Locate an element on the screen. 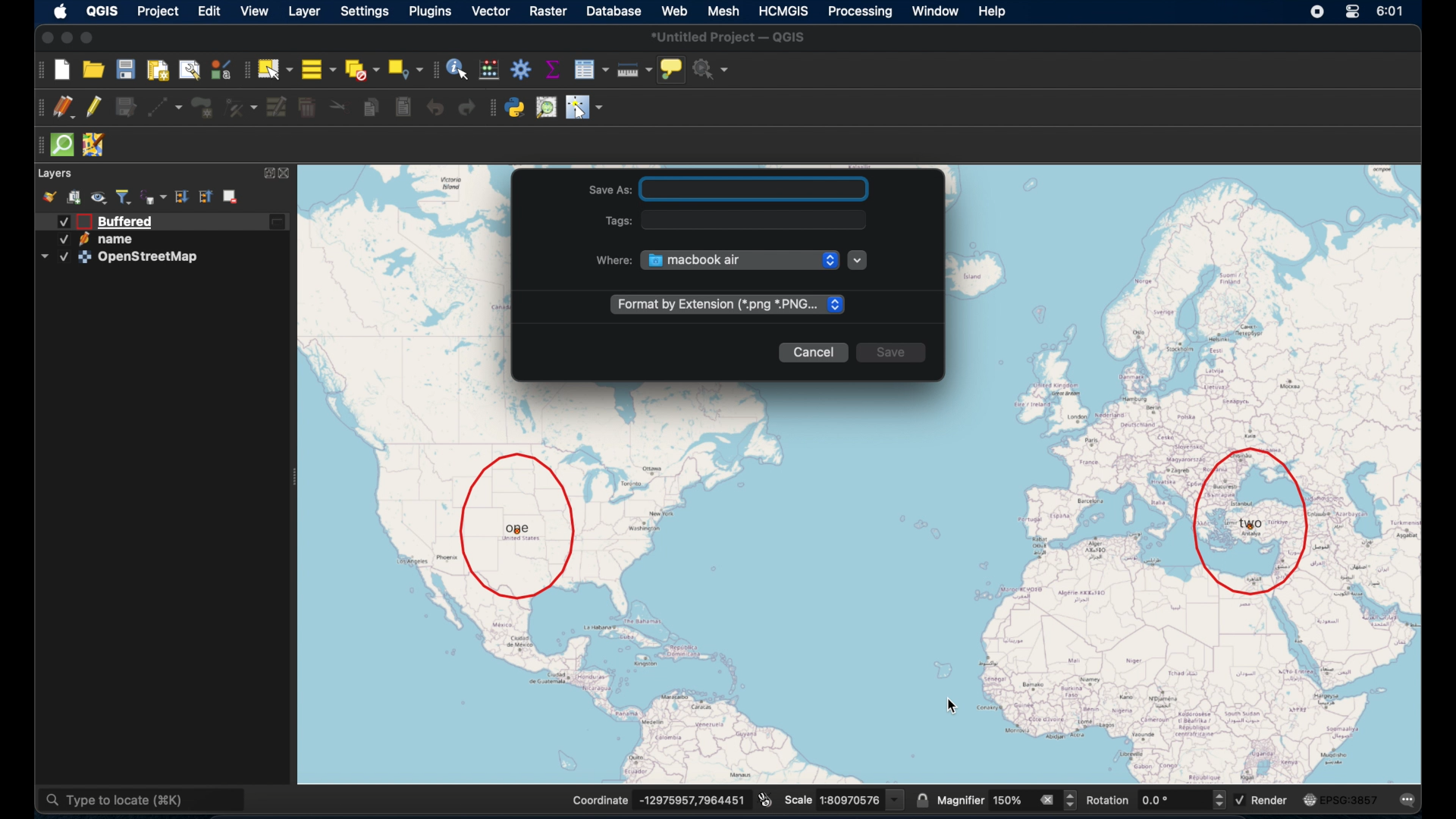  cursor is located at coordinates (953, 708).